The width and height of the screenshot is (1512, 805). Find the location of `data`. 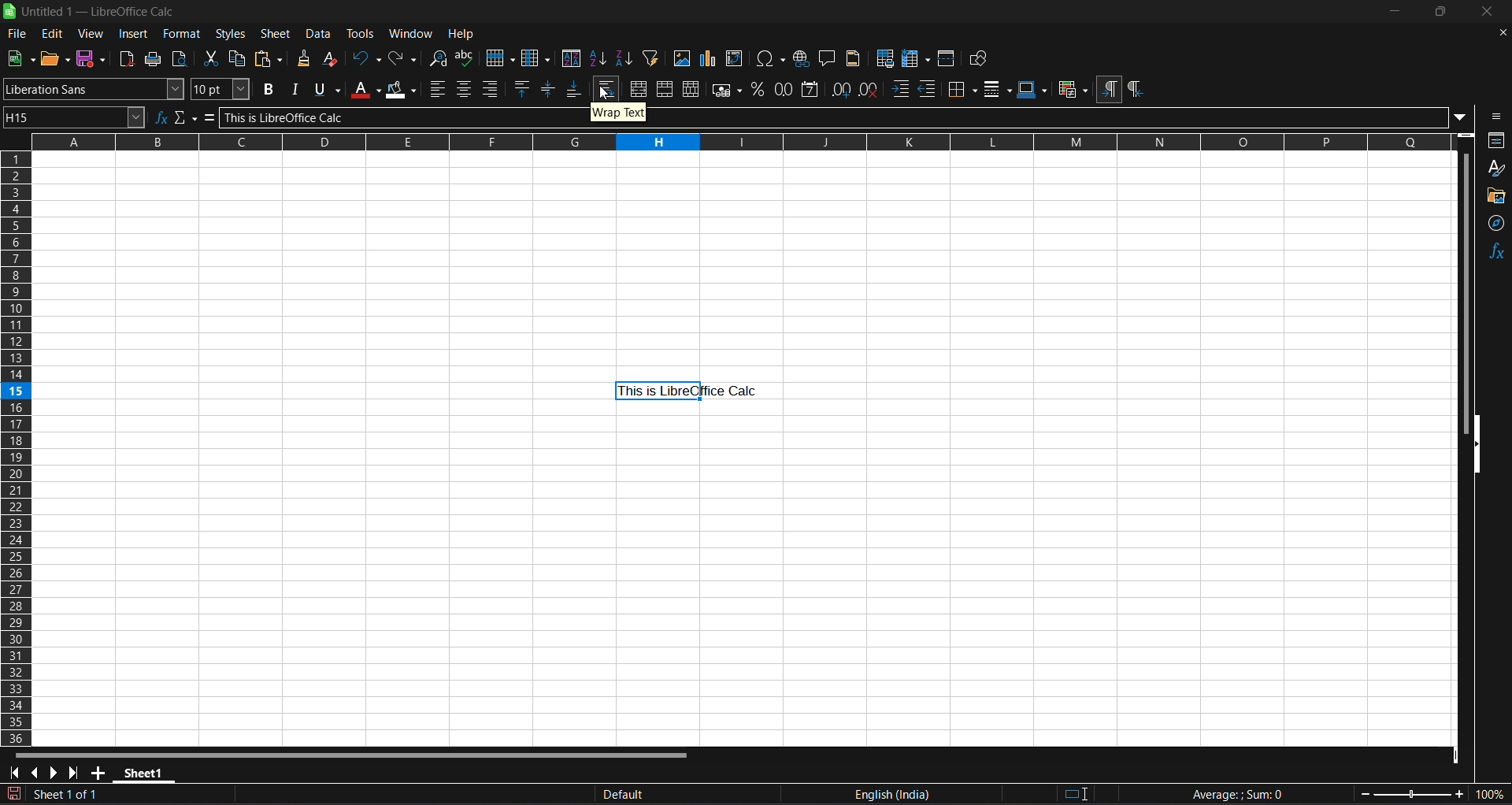

data is located at coordinates (319, 32).